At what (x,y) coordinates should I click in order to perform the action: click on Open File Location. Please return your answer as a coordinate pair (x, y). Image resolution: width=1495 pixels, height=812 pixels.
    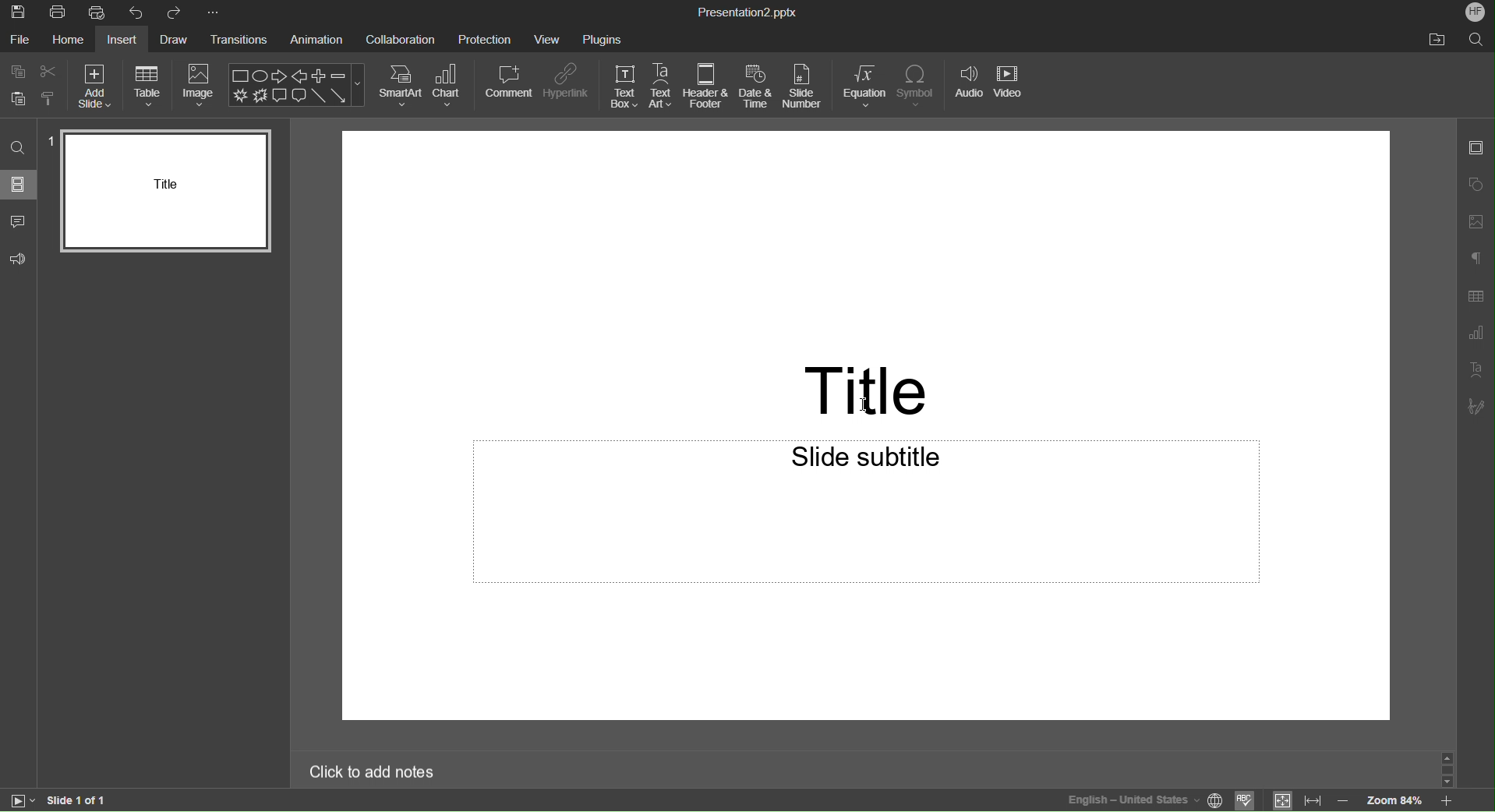
    Looking at the image, I should click on (1435, 41).